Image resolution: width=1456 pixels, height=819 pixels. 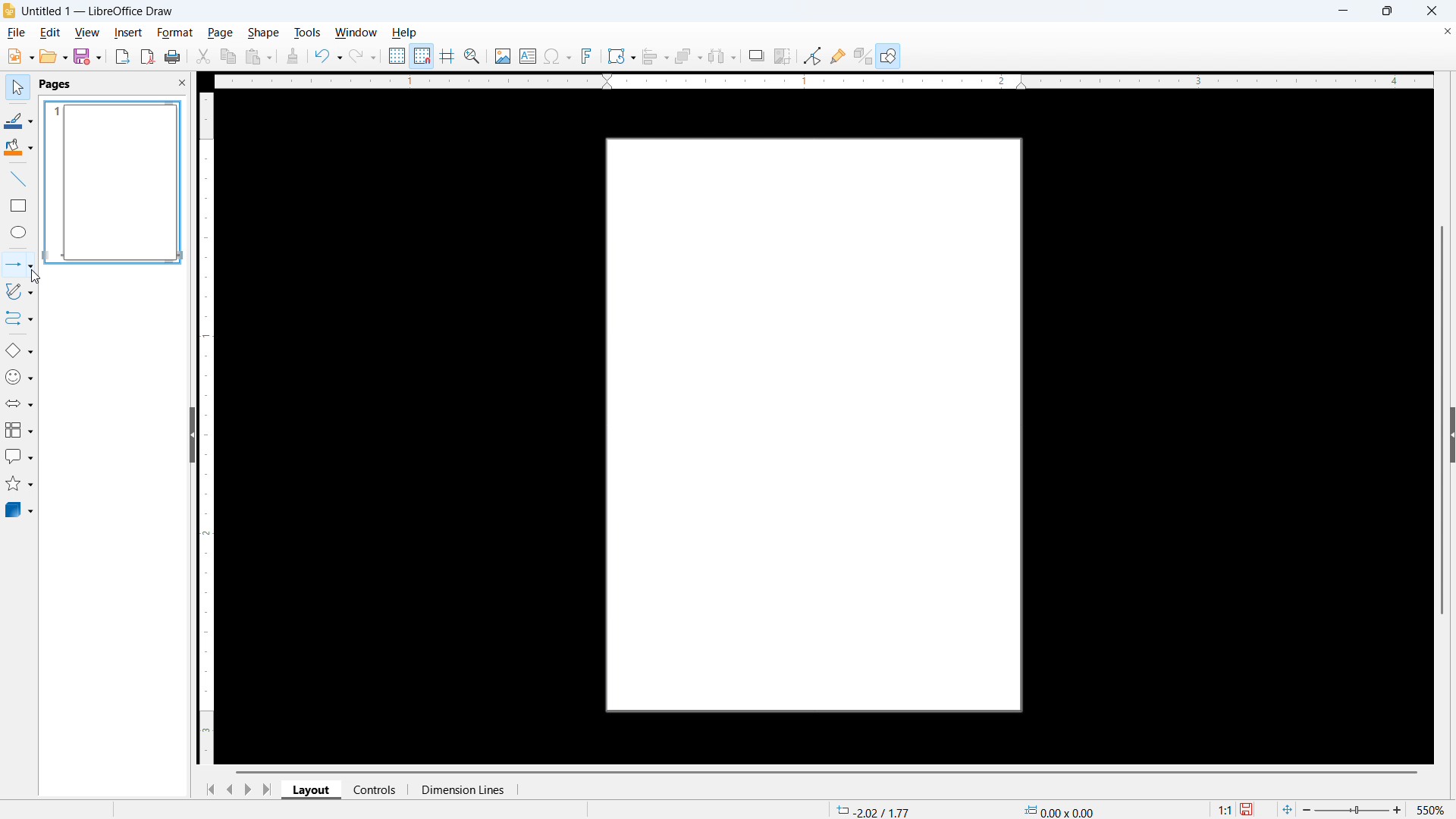 What do you see at coordinates (114, 183) in the screenshot?
I see `Page display ` at bounding box center [114, 183].